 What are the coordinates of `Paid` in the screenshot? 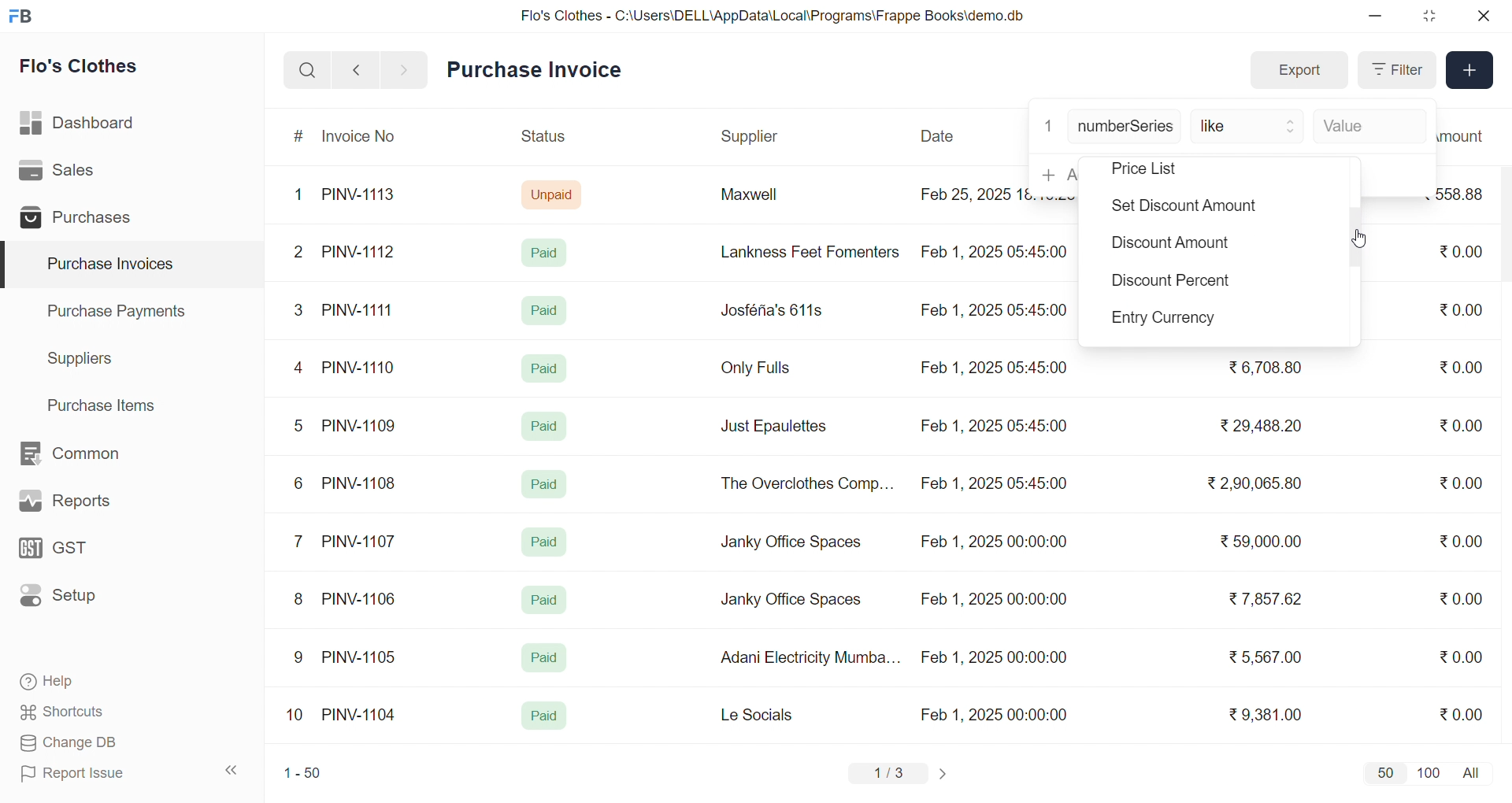 It's located at (545, 310).